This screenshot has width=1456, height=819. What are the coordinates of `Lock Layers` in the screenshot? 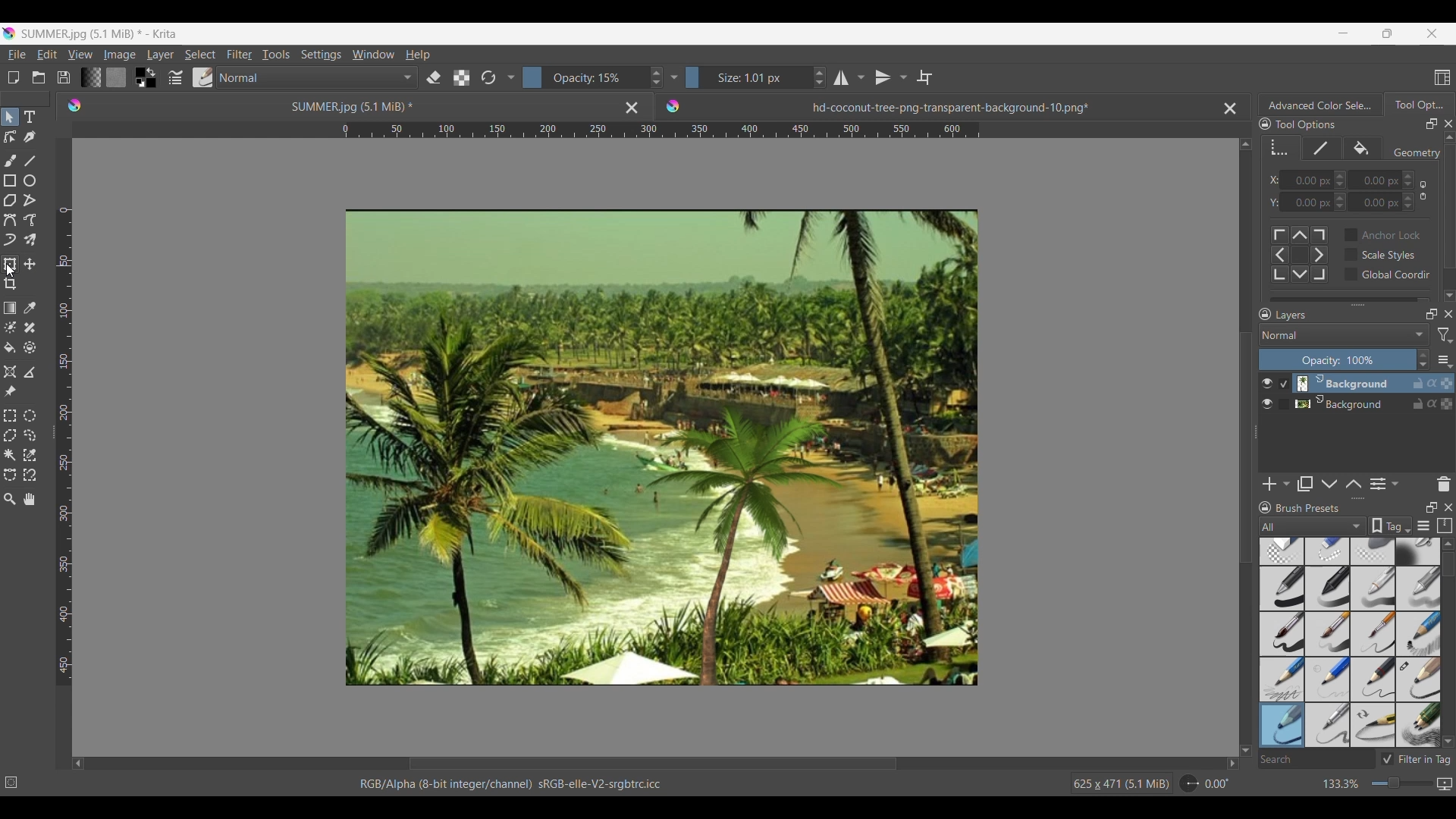 It's located at (1265, 314).